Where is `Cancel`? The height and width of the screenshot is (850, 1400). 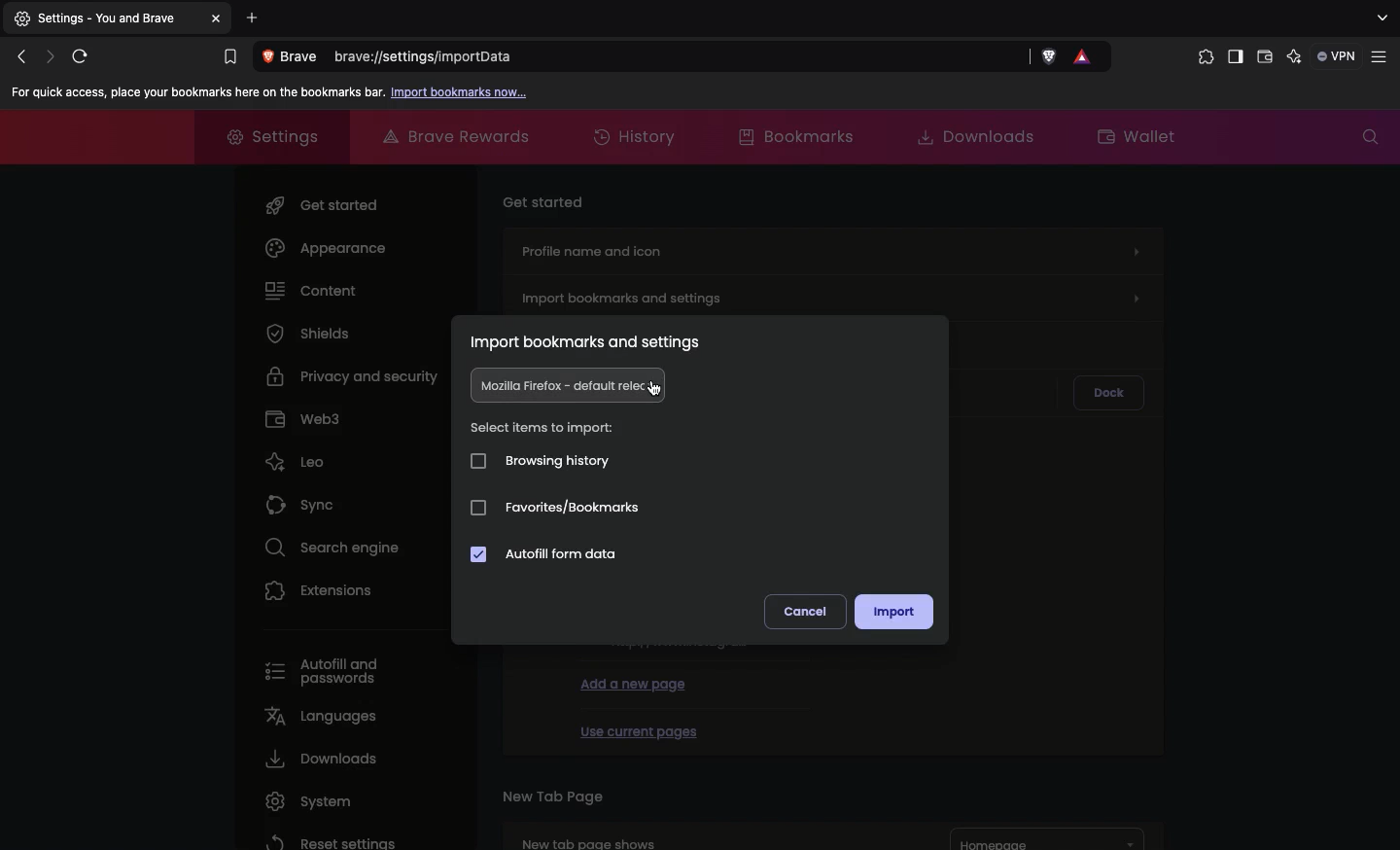
Cancel is located at coordinates (802, 612).